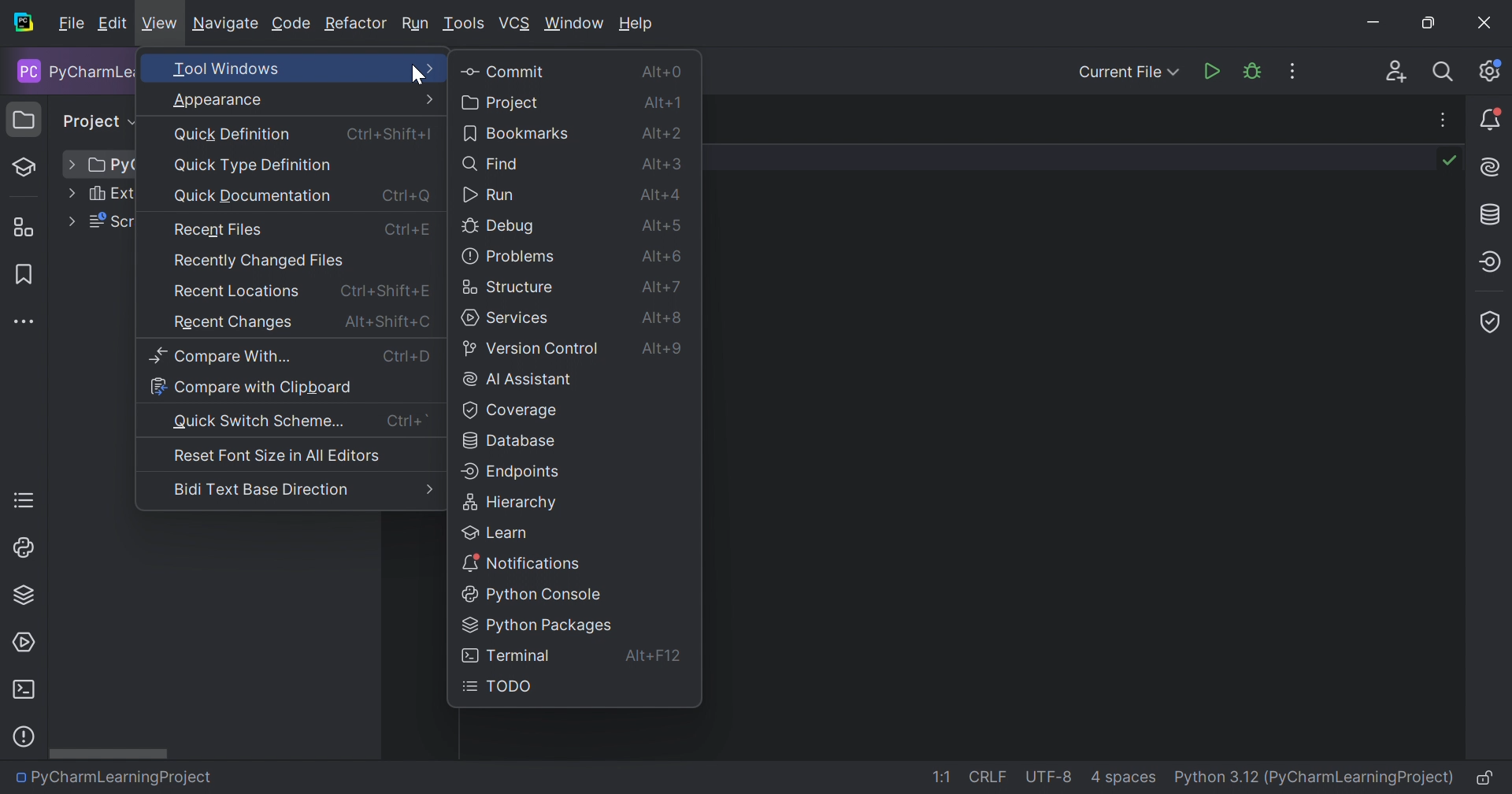 The image size is (1512, 794). Describe the element at coordinates (663, 163) in the screenshot. I see `Alt+3` at that location.